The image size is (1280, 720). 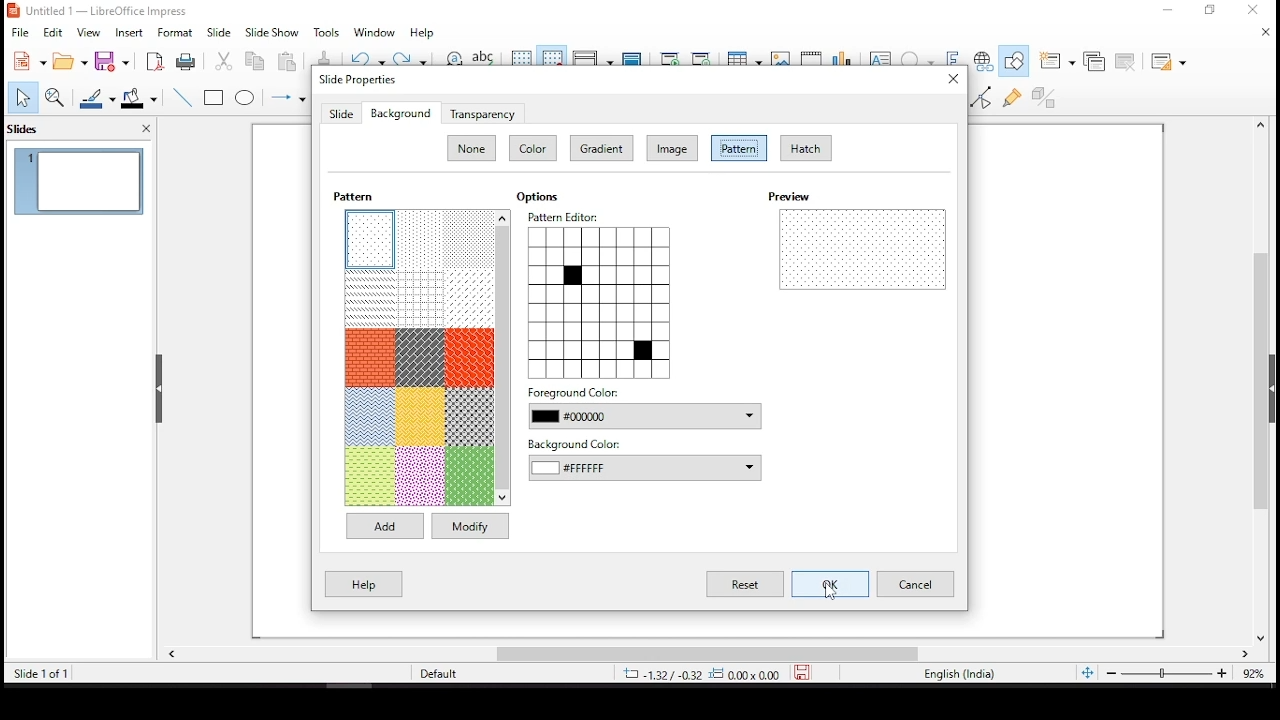 I want to click on scroll bar, so click(x=707, y=653).